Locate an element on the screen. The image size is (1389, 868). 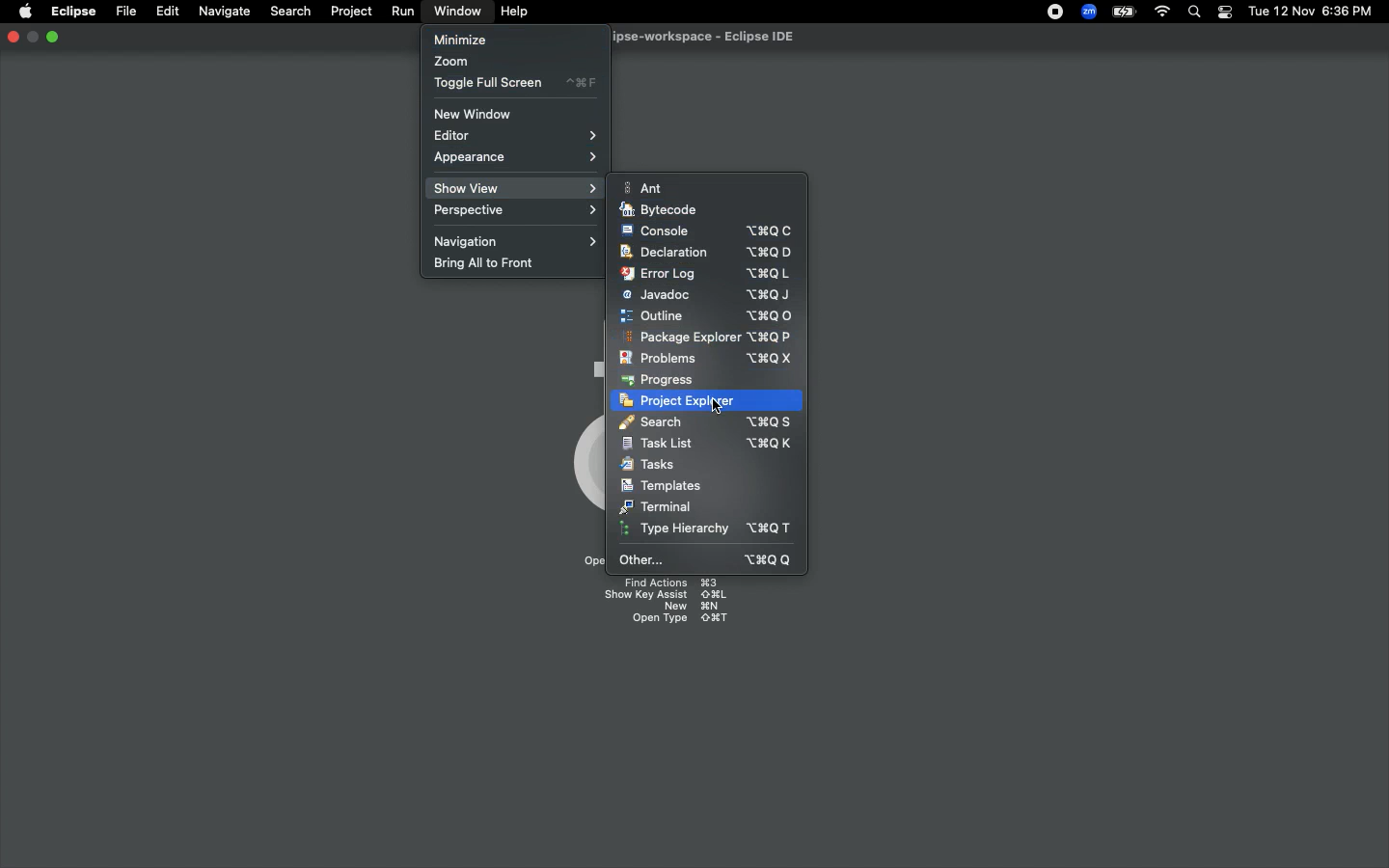
Perspective is located at coordinates (520, 211).